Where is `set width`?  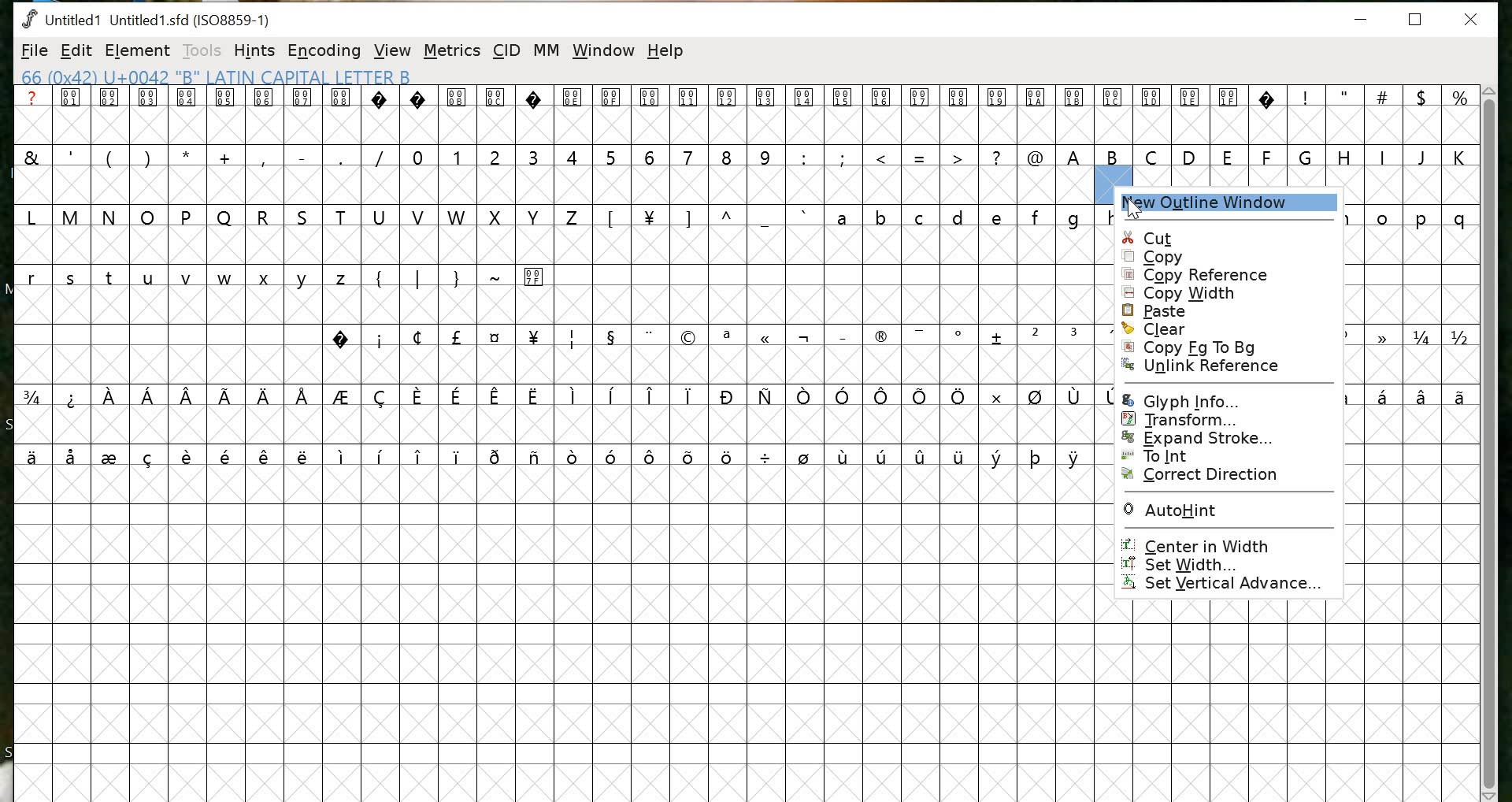
set width is located at coordinates (1225, 564).